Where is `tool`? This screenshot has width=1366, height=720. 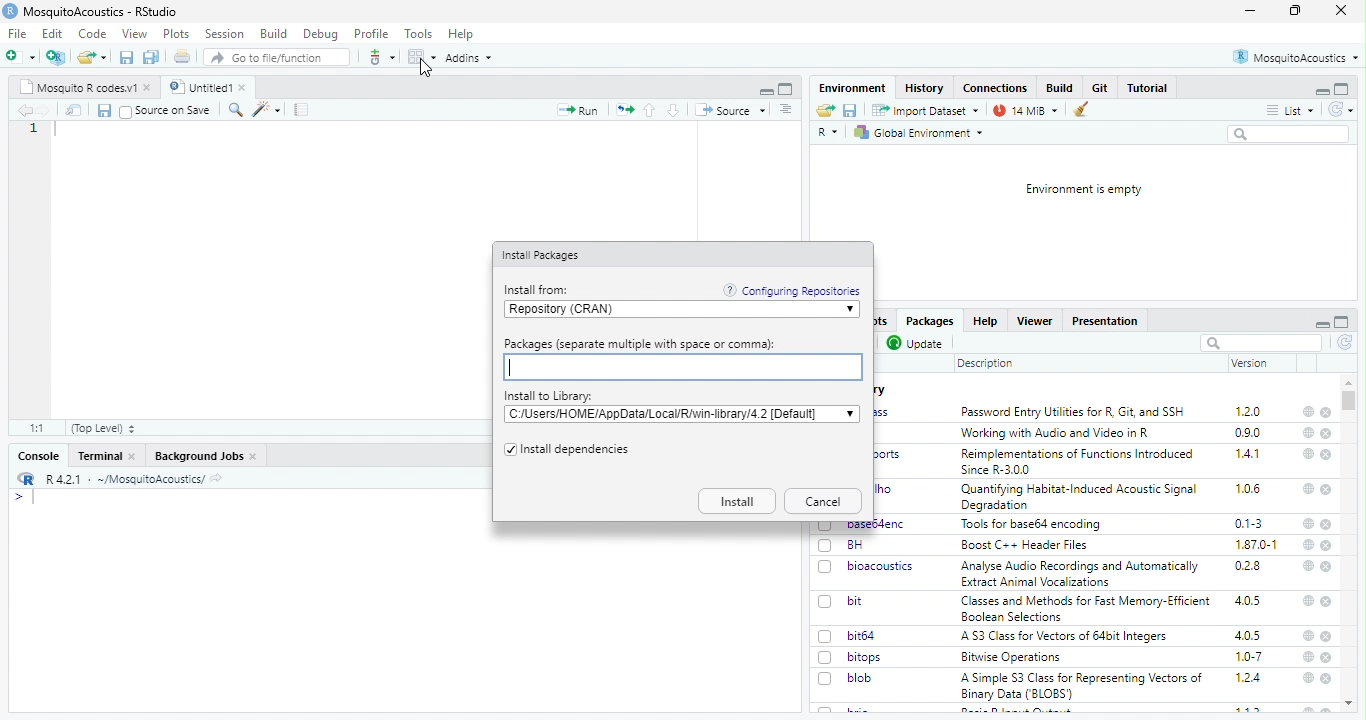
tool is located at coordinates (380, 57).